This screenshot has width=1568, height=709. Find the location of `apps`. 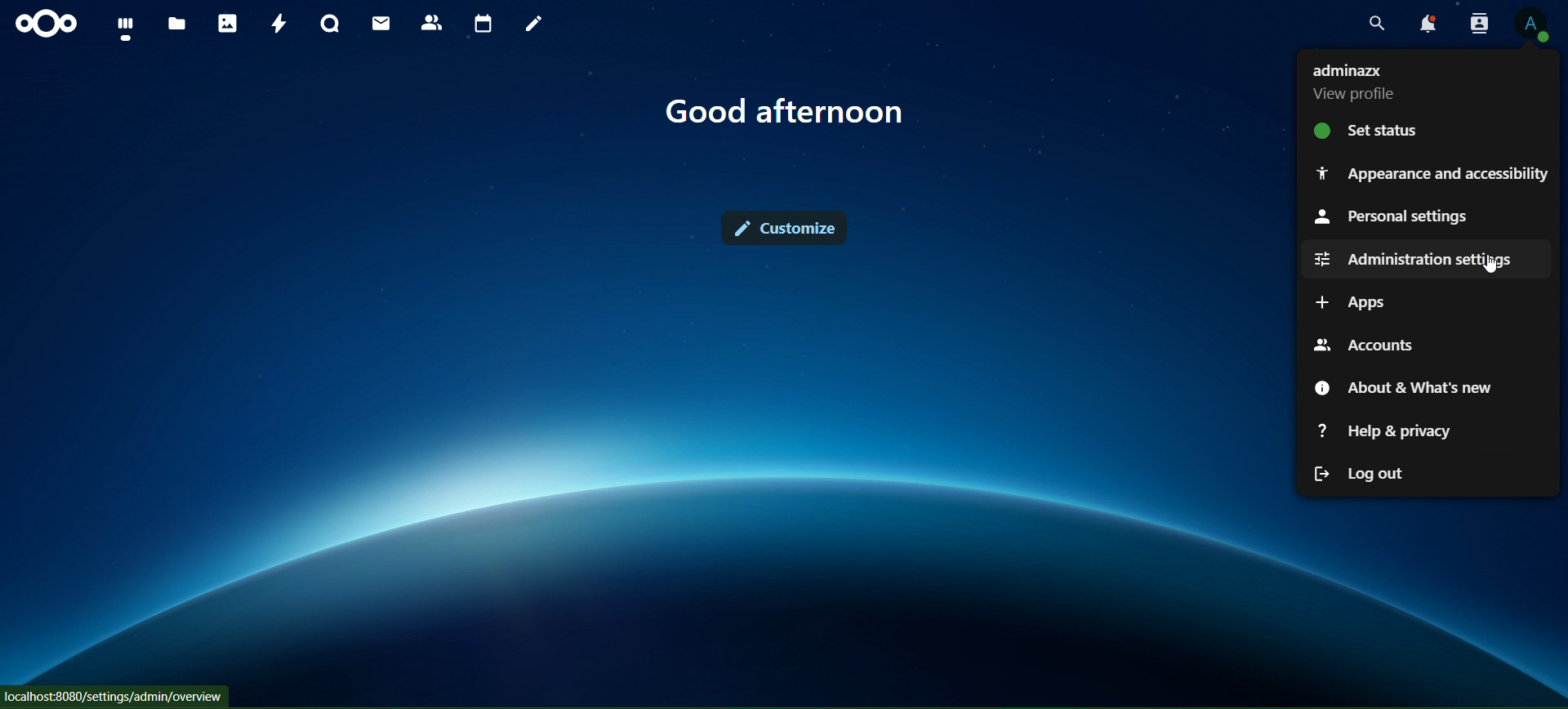

apps is located at coordinates (1364, 301).